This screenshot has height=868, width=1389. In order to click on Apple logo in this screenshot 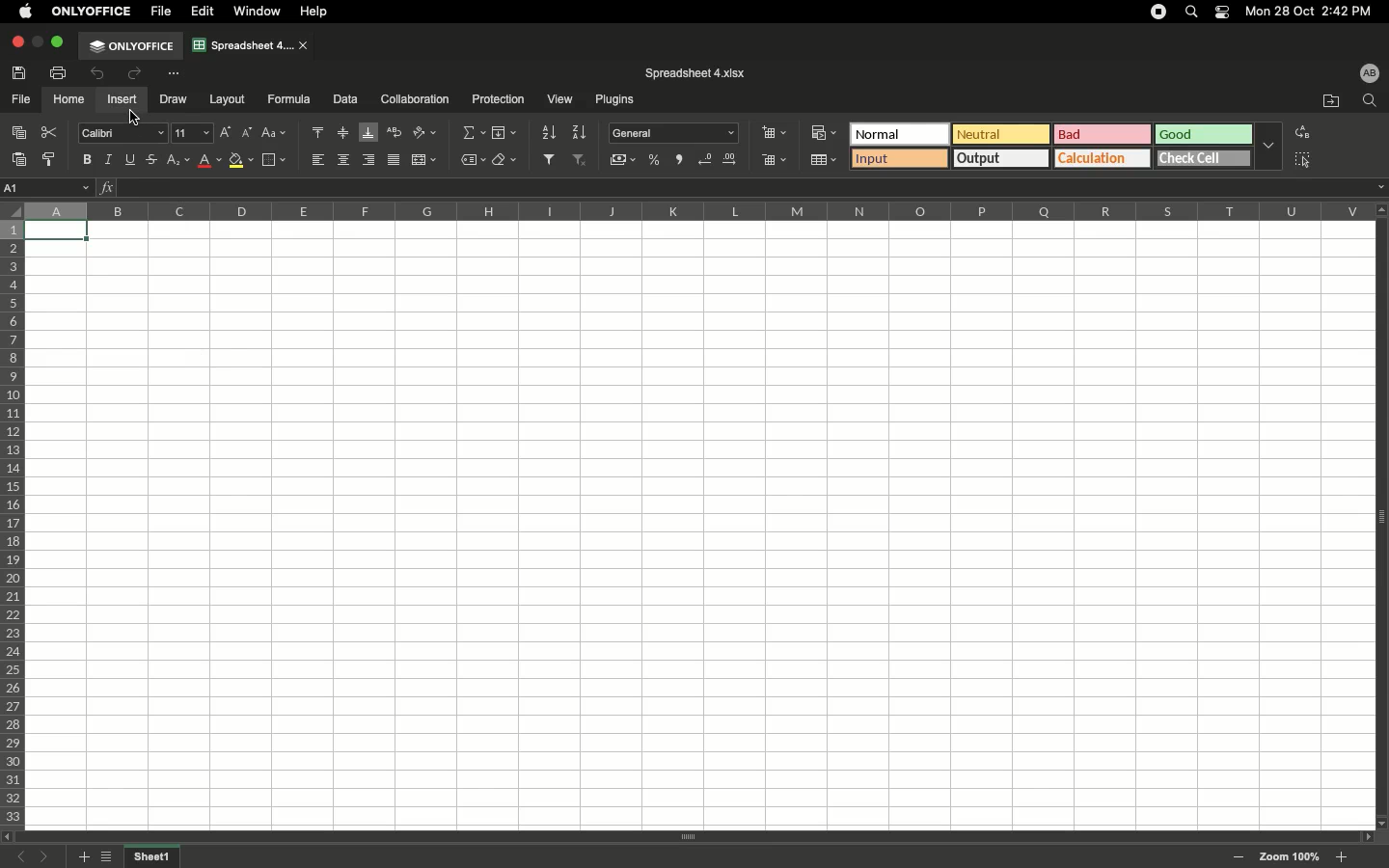, I will do `click(26, 11)`.